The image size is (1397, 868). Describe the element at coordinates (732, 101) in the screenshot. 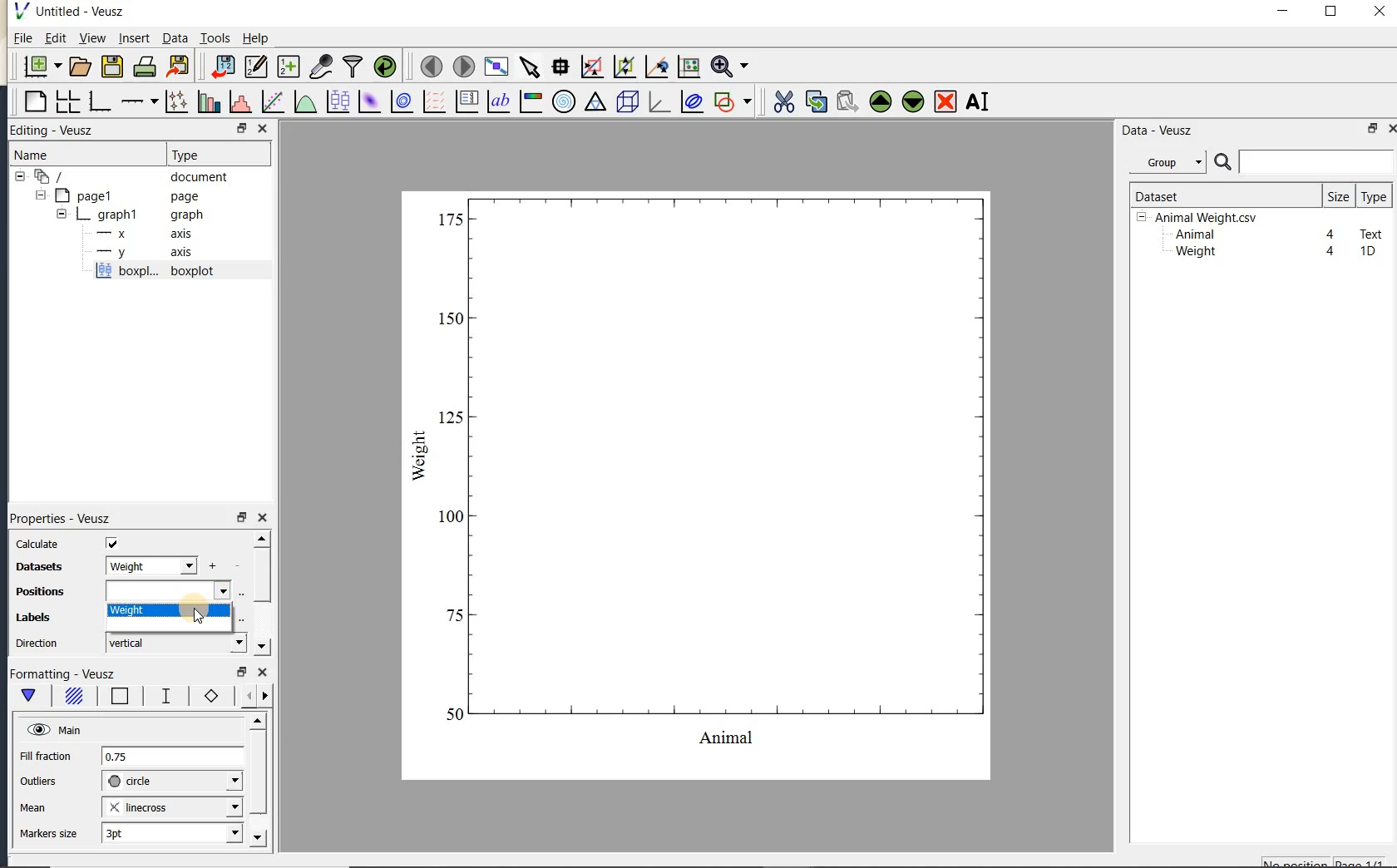

I see `add a shape to the plot` at that location.